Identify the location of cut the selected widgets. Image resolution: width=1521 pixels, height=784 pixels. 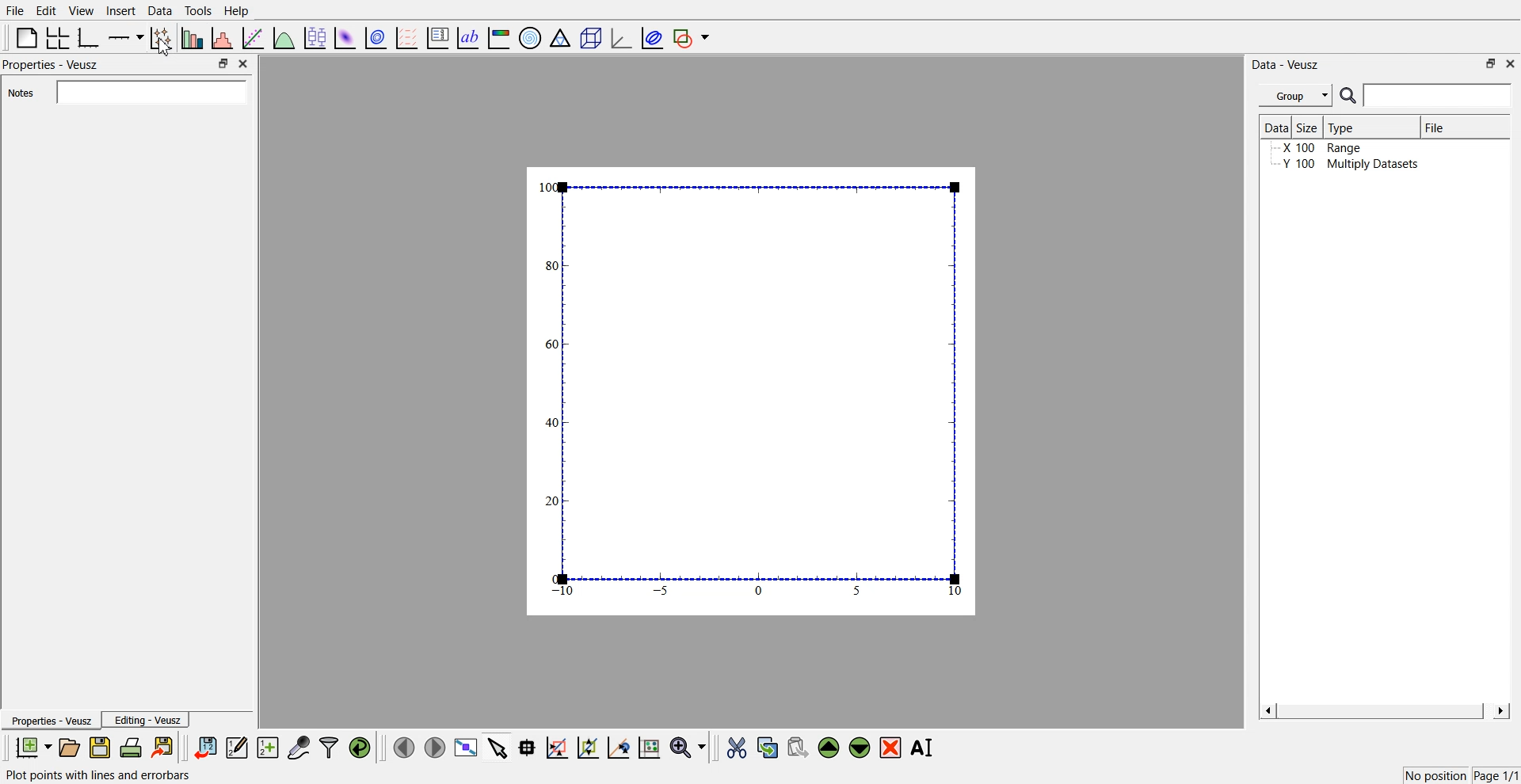
(735, 748).